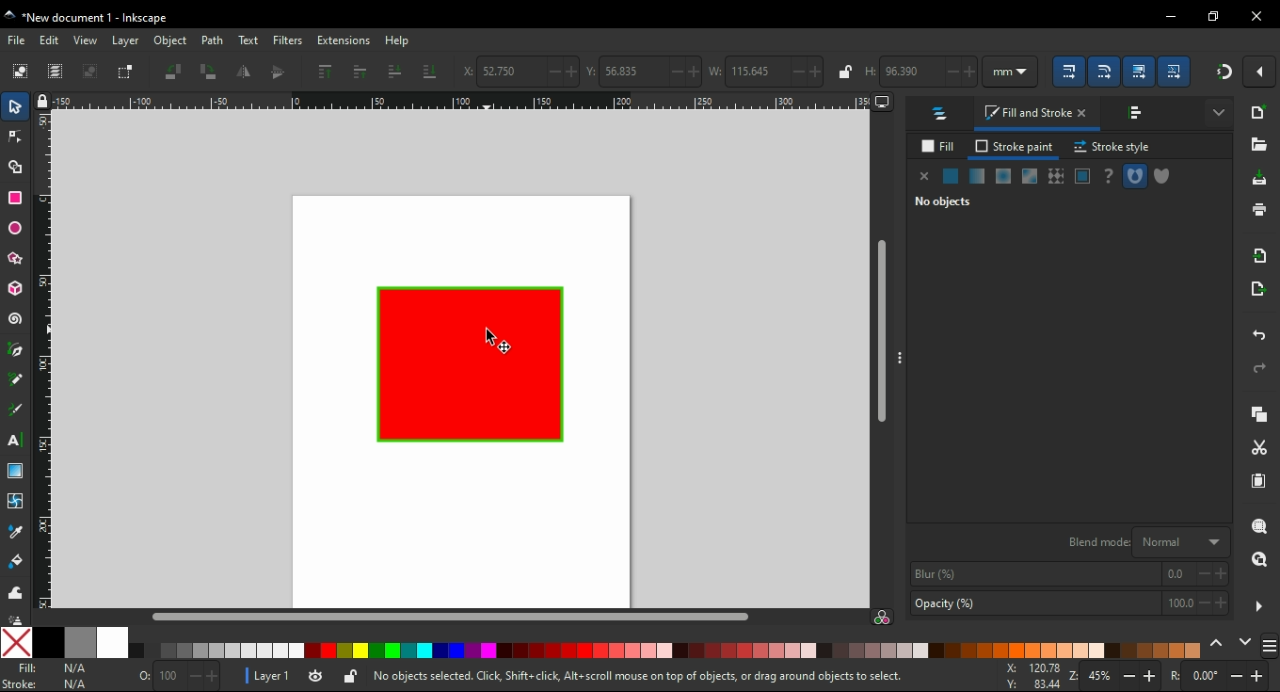 This screenshot has height=692, width=1280. Describe the element at coordinates (1137, 114) in the screenshot. I see `align and distribute` at that location.